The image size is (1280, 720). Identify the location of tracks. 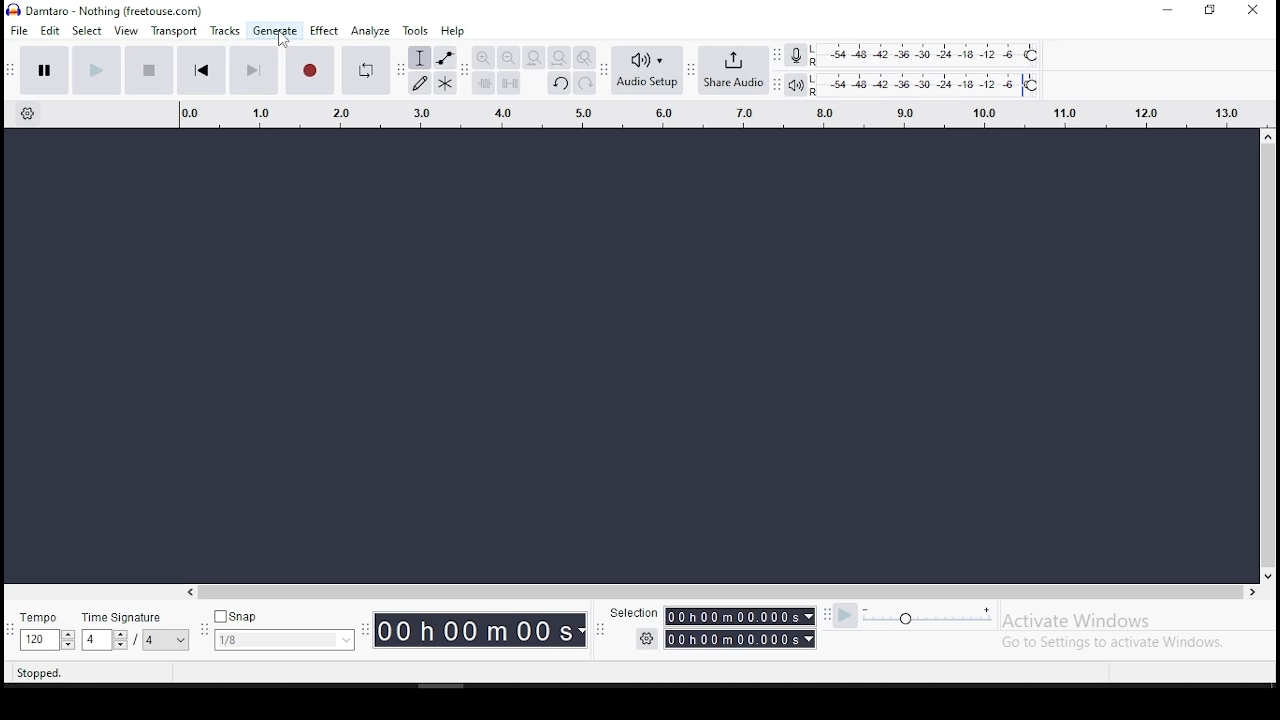
(226, 31).